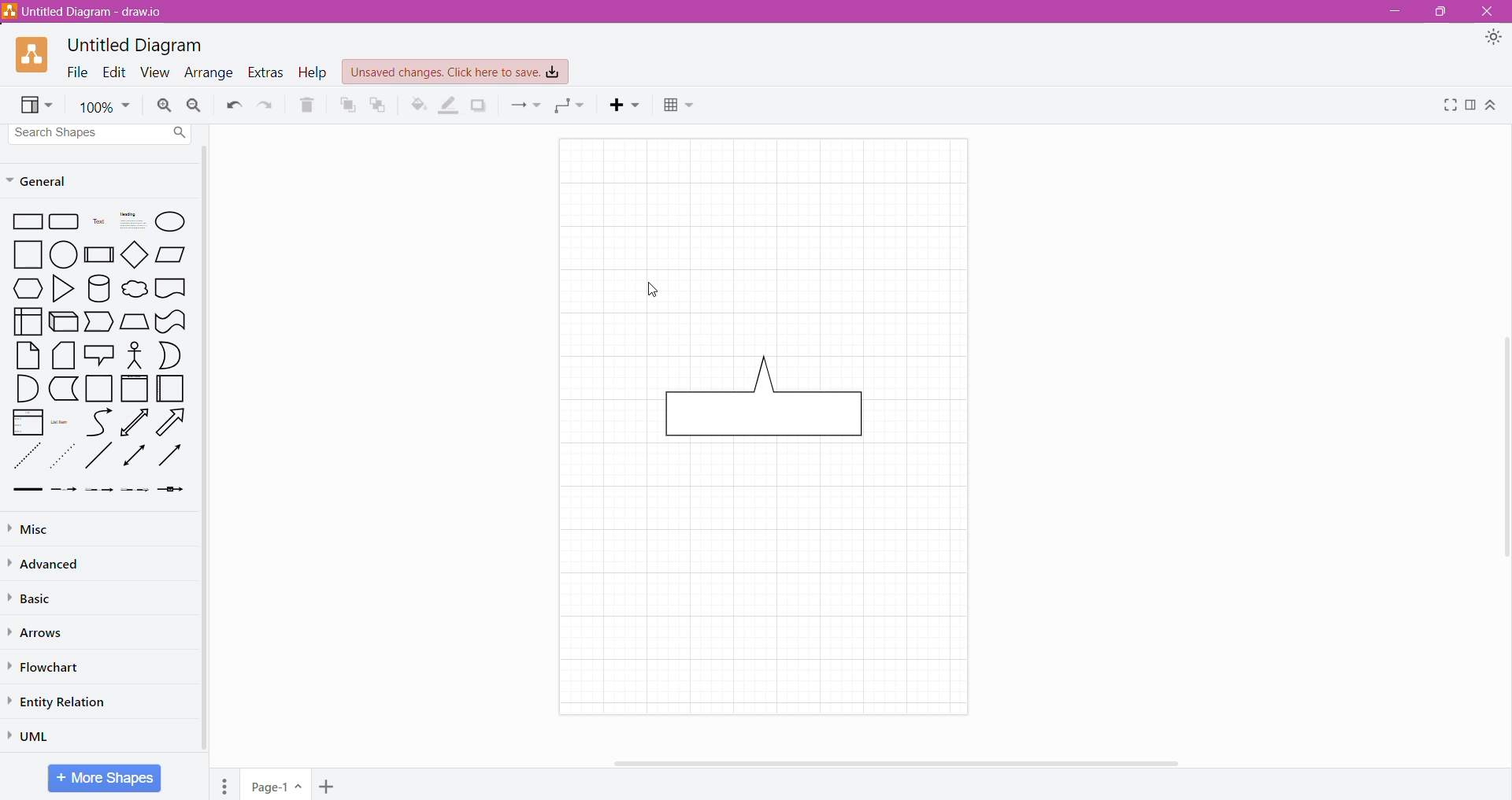  Describe the element at coordinates (195, 104) in the screenshot. I see `Zoom Out` at that location.